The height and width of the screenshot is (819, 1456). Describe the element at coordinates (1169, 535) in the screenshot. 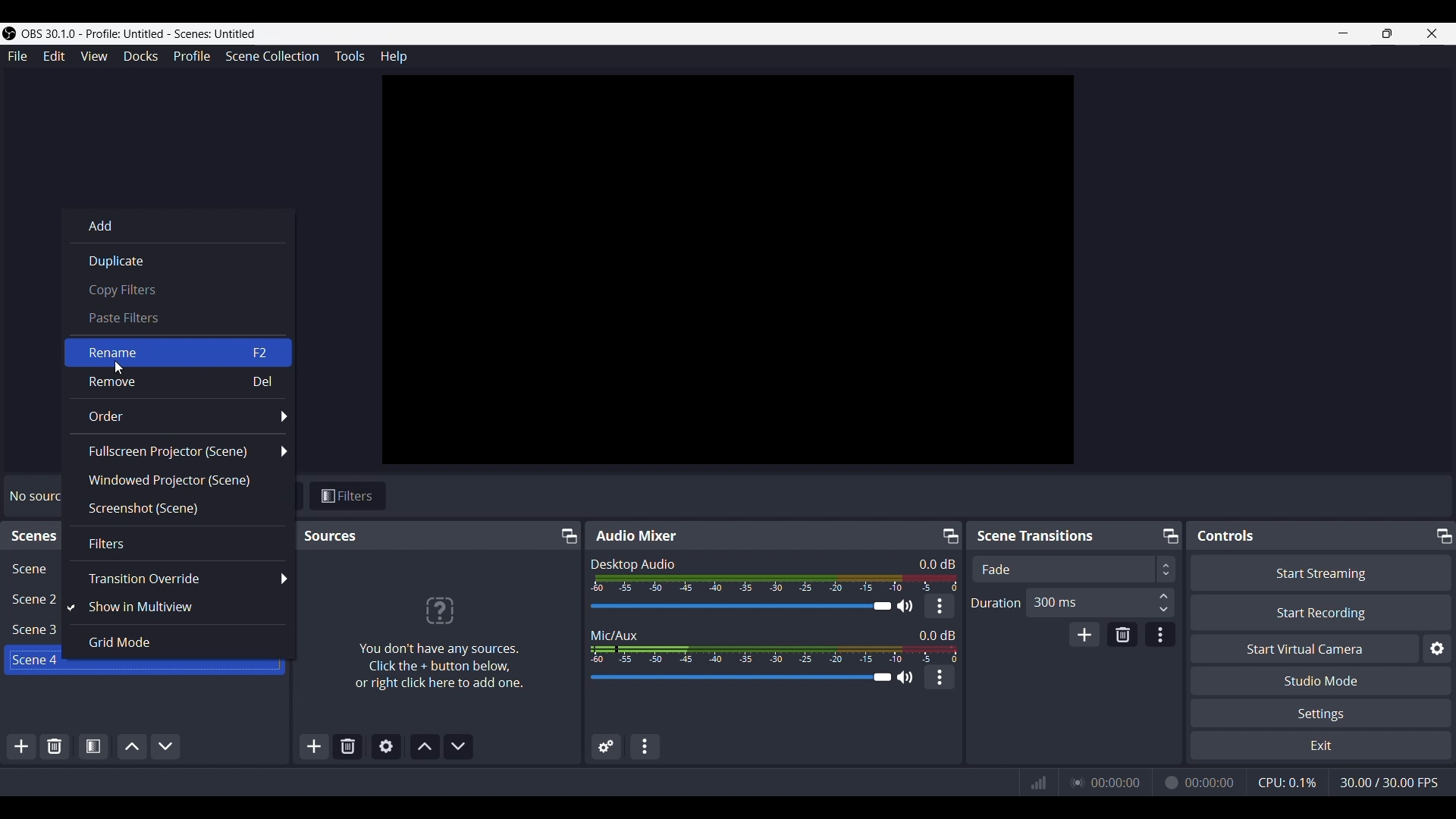

I see ` Undock/Pop-out icon` at that location.